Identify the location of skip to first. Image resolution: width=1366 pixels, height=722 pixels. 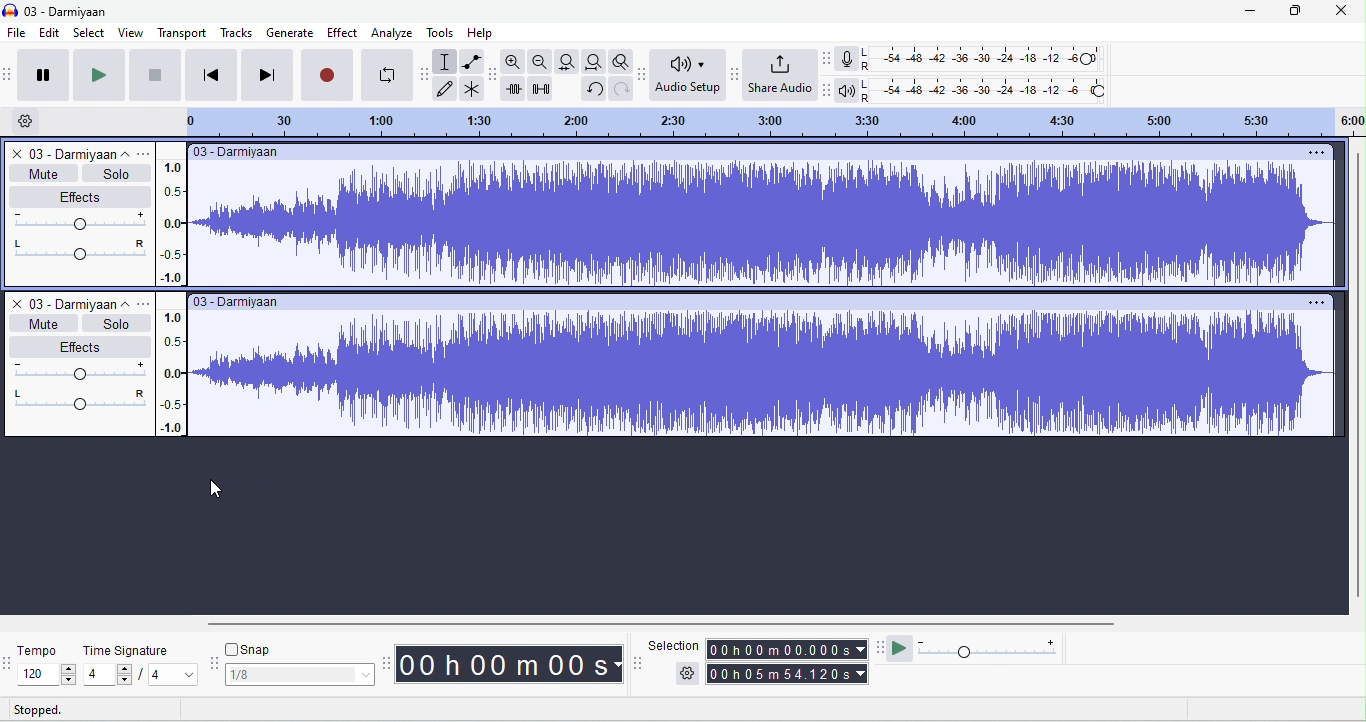
(211, 76).